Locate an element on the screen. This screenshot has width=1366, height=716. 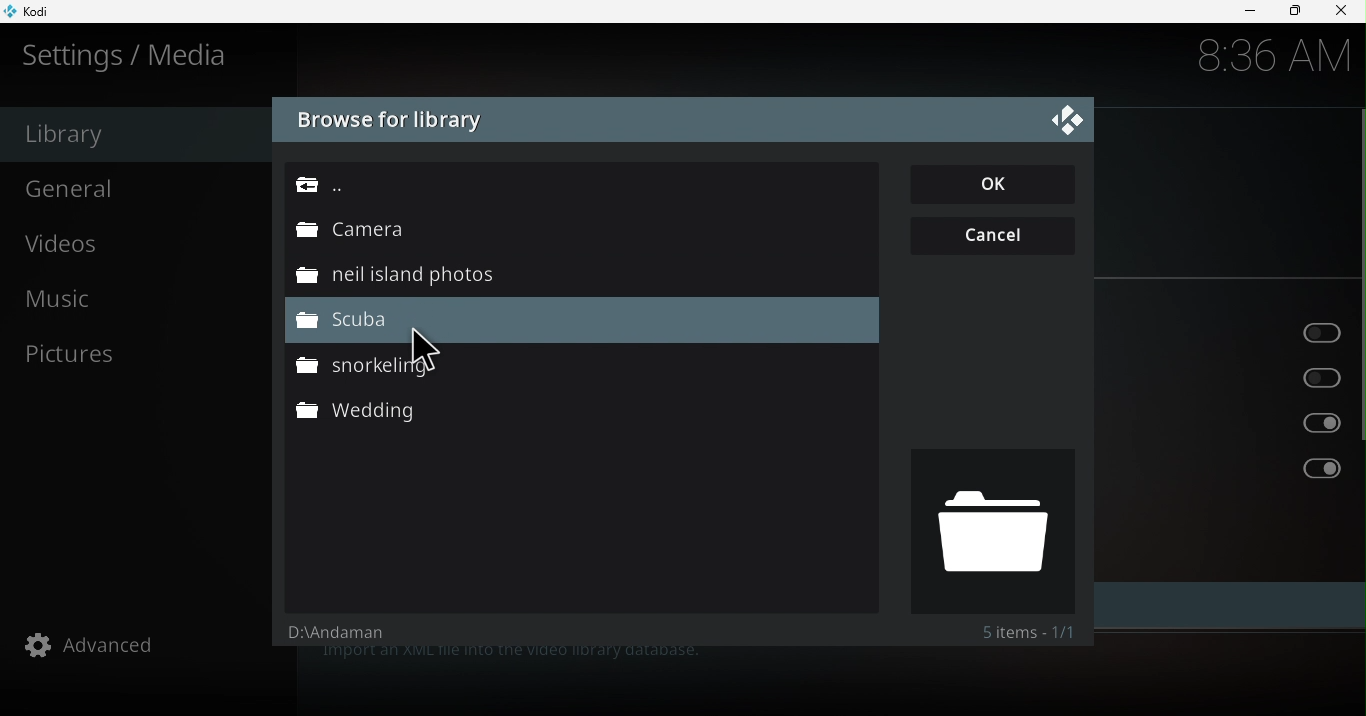
preview is located at coordinates (990, 530).